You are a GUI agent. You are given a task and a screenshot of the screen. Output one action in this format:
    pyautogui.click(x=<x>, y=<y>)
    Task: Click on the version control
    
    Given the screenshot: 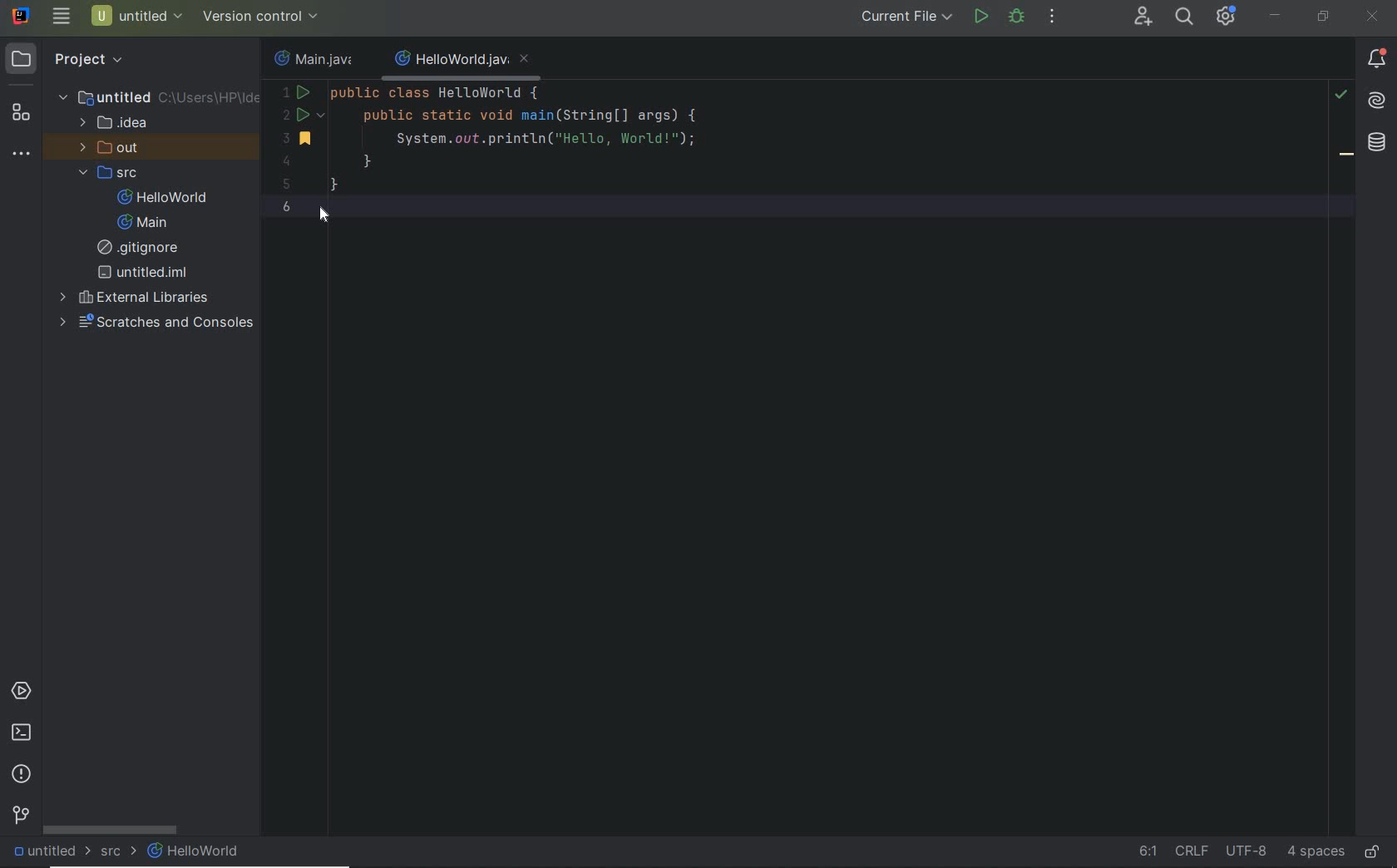 What is the action you would take?
    pyautogui.click(x=22, y=816)
    